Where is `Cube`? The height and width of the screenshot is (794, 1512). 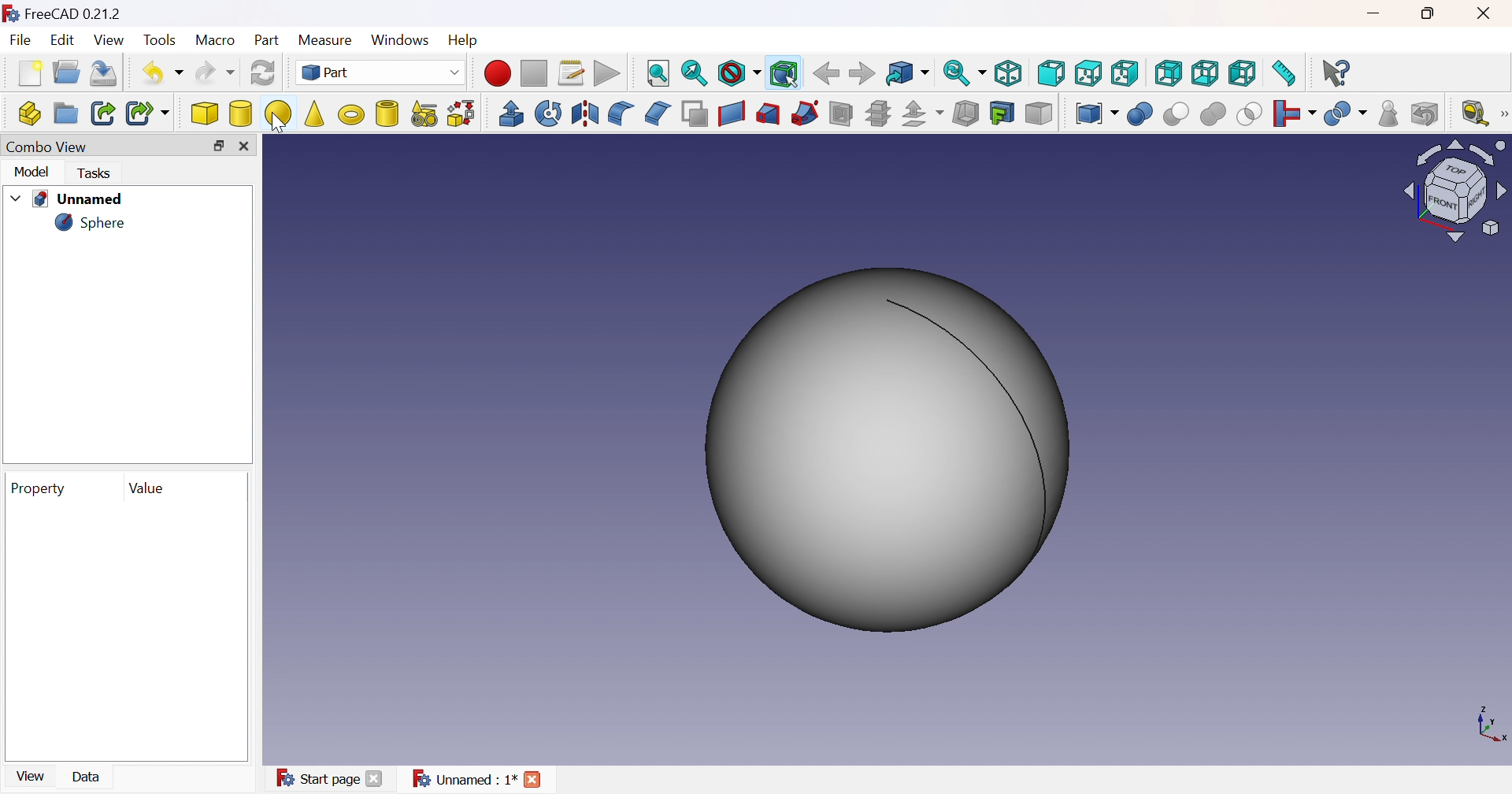
Cube is located at coordinates (206, 114).